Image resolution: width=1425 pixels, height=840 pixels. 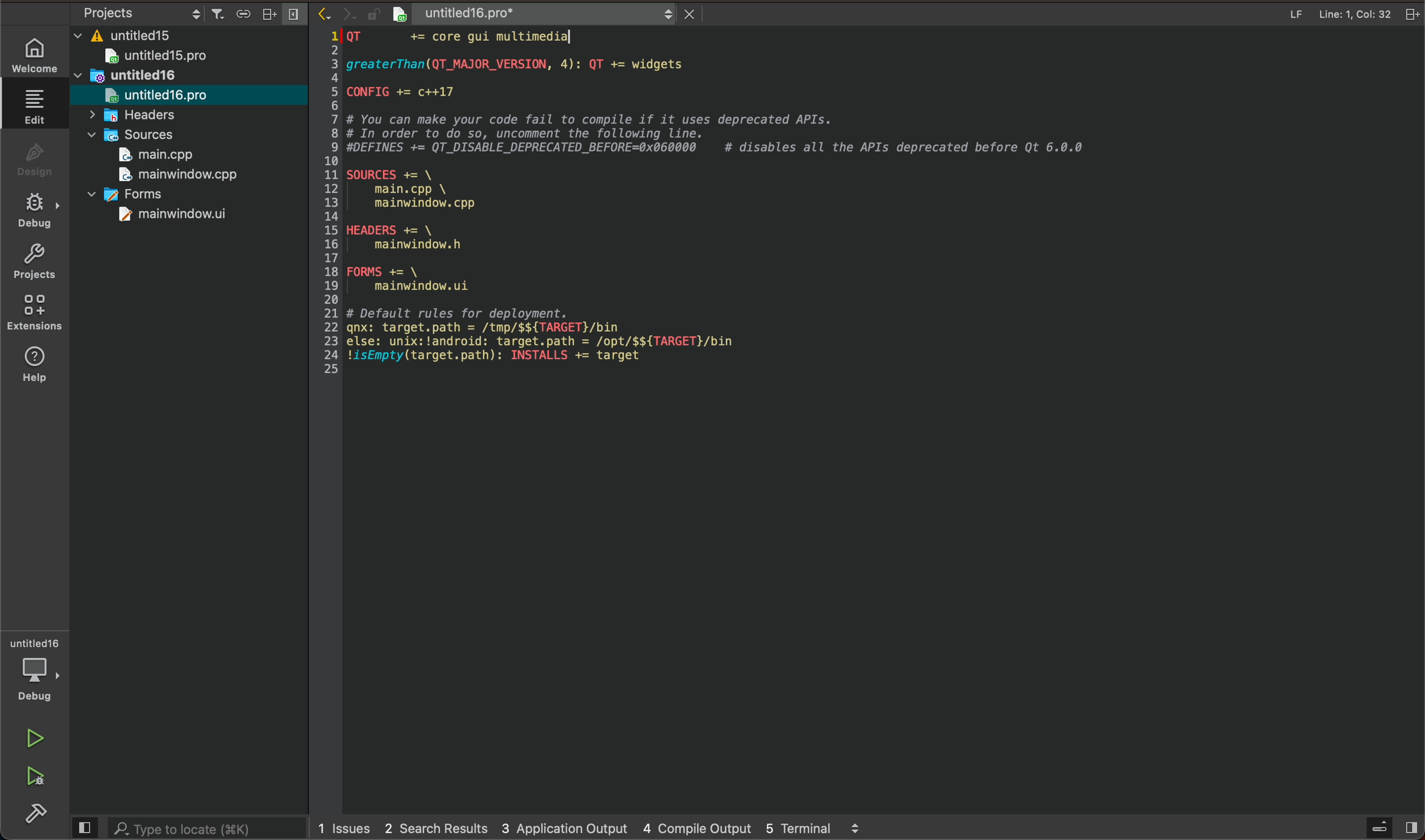 What do you see at coordinates (177, 176) in the screenshot?
I see `mainwindow.cpp` at bounding box center [177, 176].